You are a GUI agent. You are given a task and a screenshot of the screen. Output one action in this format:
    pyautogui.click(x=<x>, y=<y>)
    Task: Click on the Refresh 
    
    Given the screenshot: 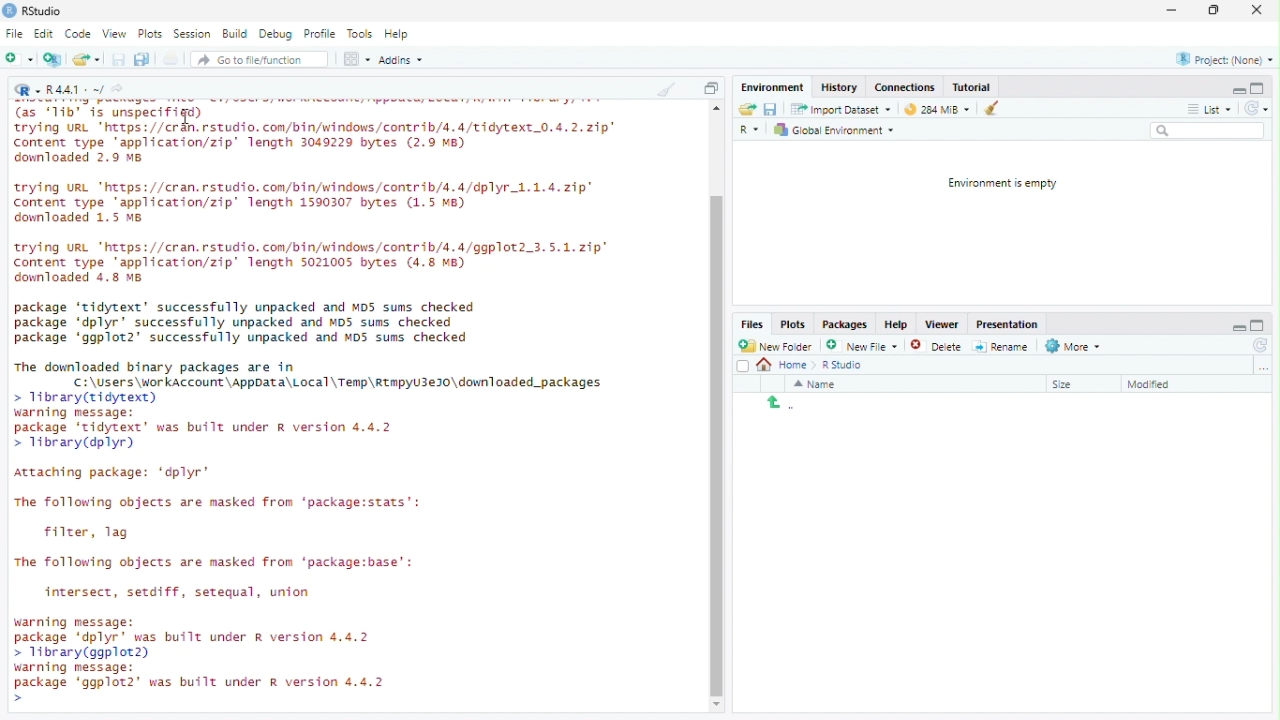 What is the action you would take?
    pyautogui.click(x=1256, y=108)
    